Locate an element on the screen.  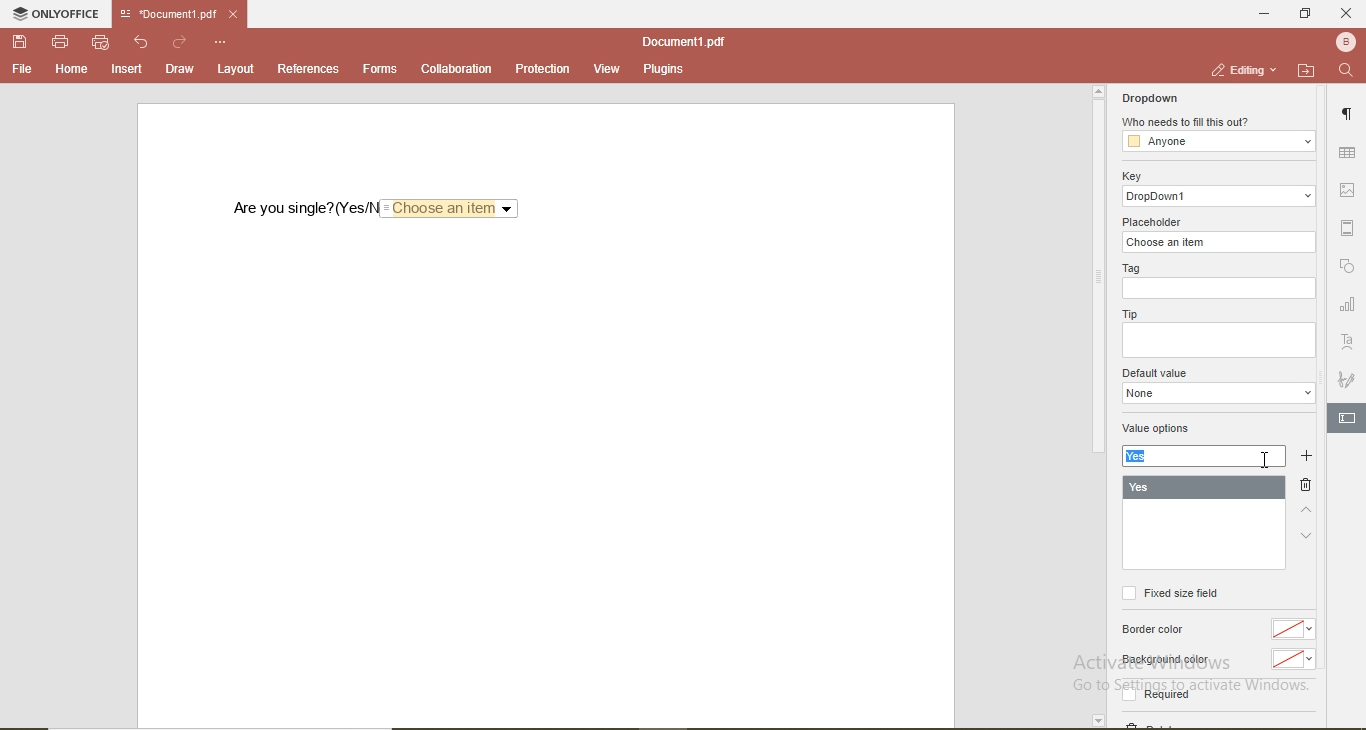
border color is located at coordinates (1154, 632).